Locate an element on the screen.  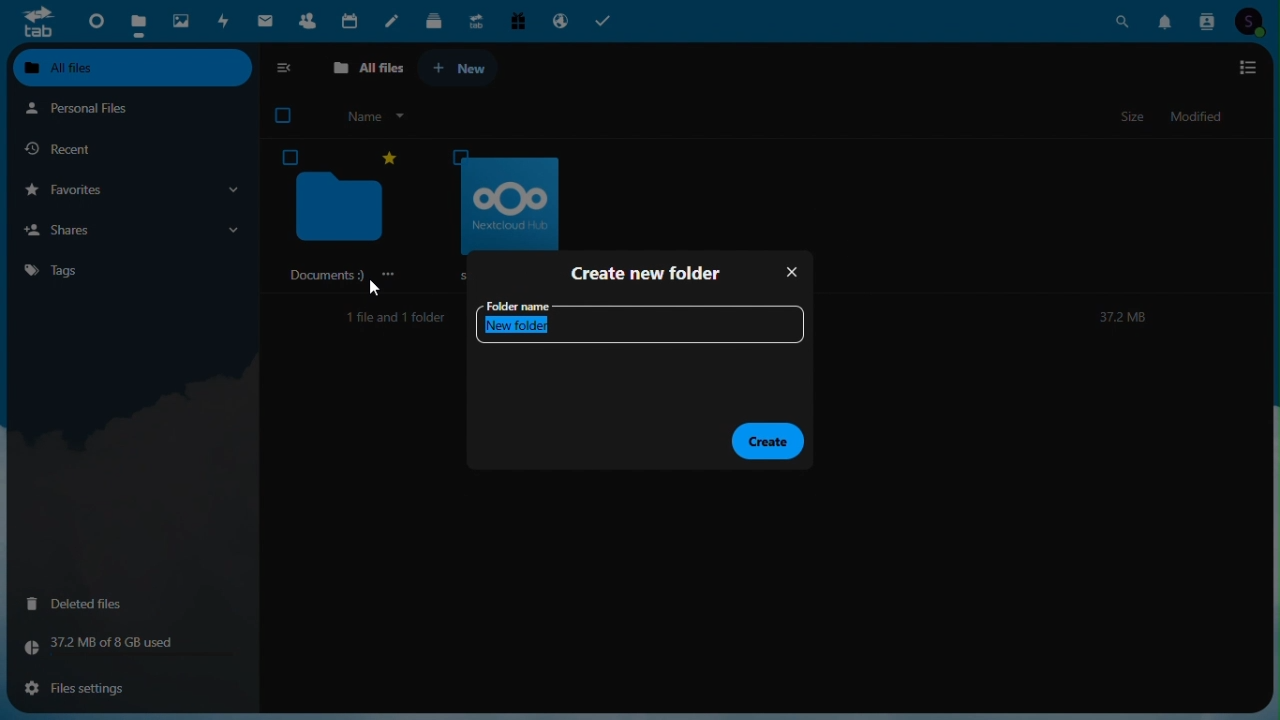
collapse side bar is located at coordinates (287, 65).